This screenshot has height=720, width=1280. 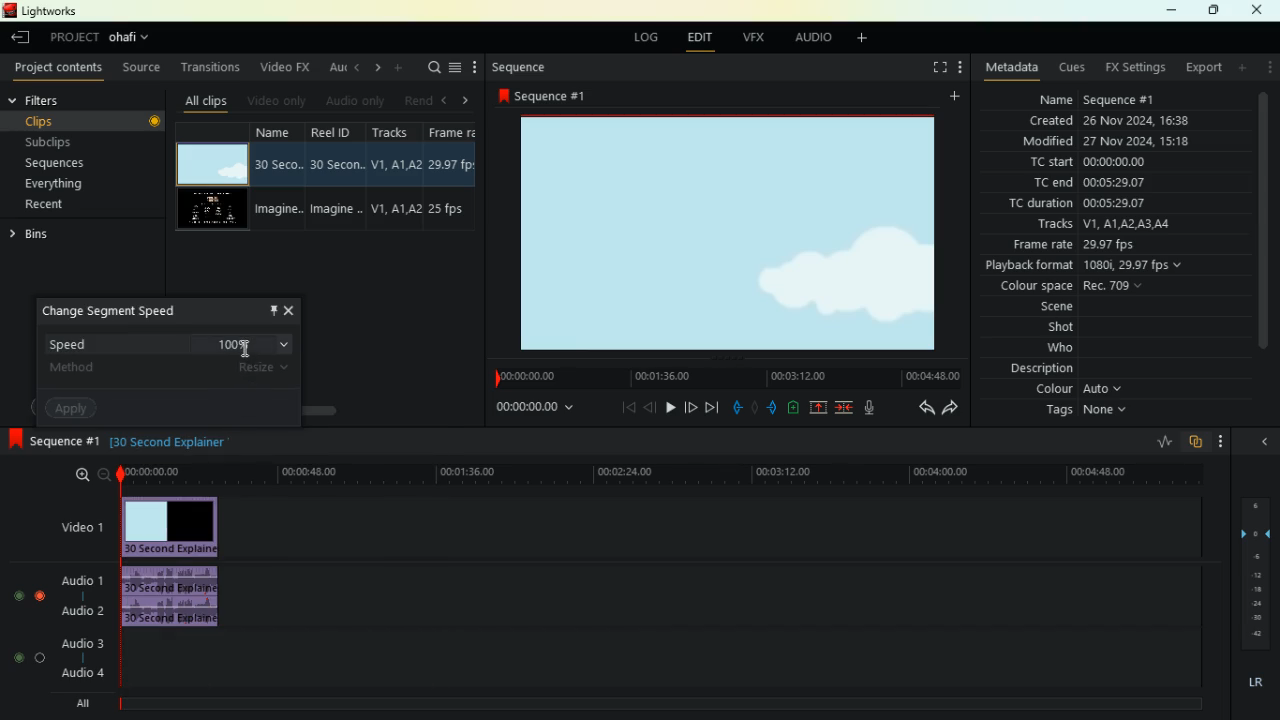 What do you see at coordinates (106, 38) in the screenshot?
I see `project` at bounding box center [106, 38].